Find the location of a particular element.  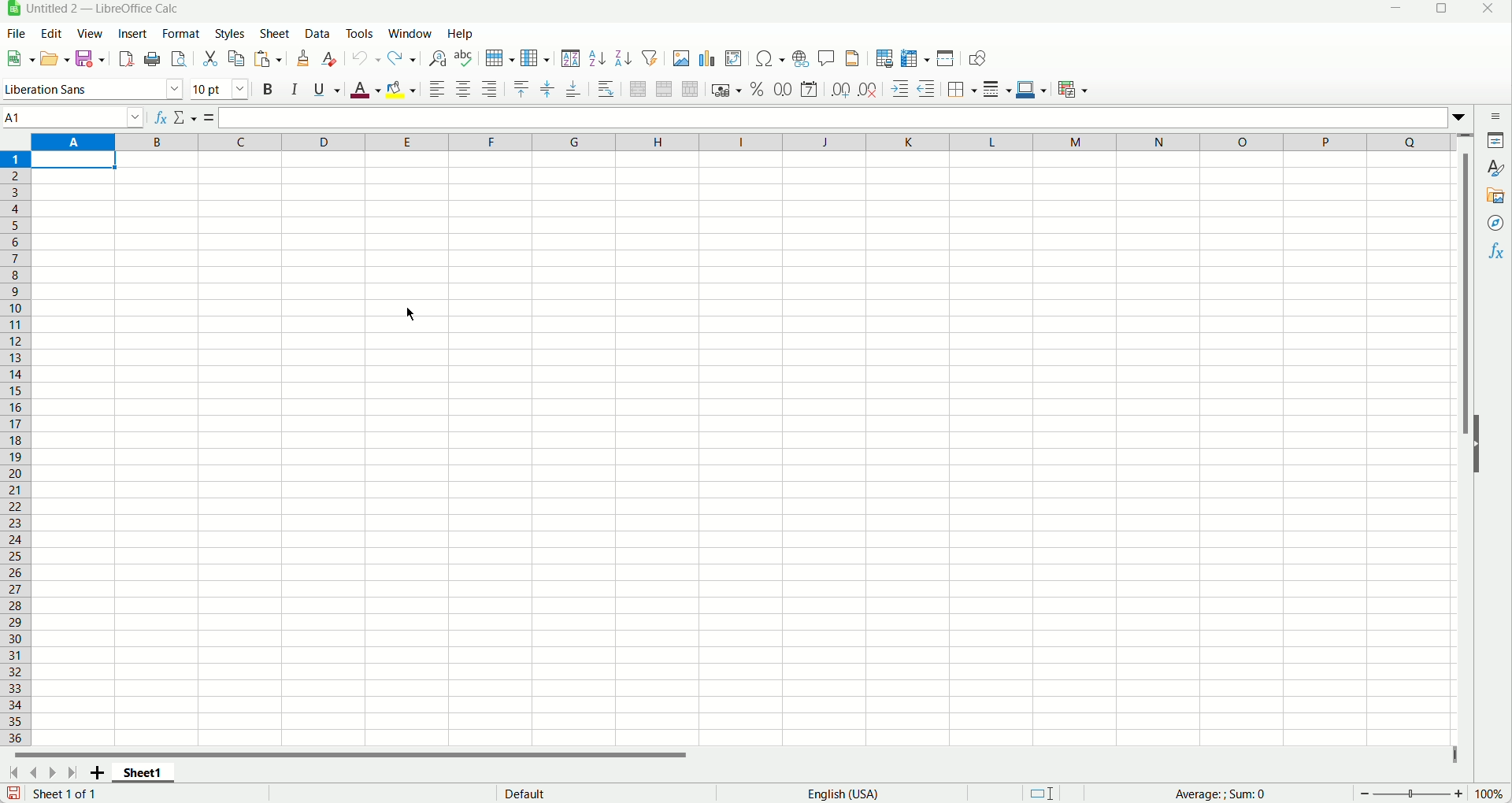

fx is located at coordinates (161, 115).